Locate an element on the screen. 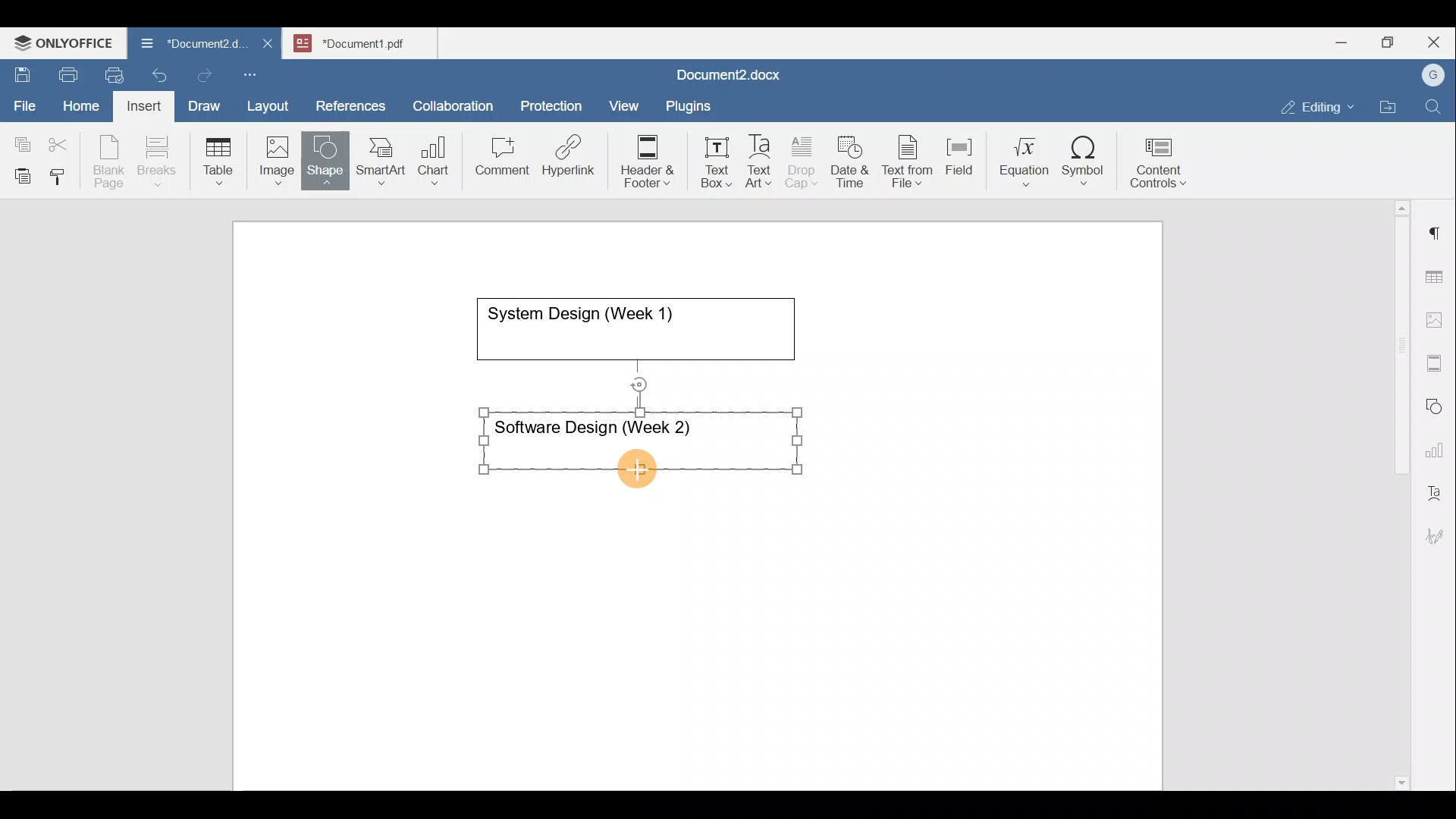 The image size is (1456, 819). Text box is located at coordinates (706, 162).